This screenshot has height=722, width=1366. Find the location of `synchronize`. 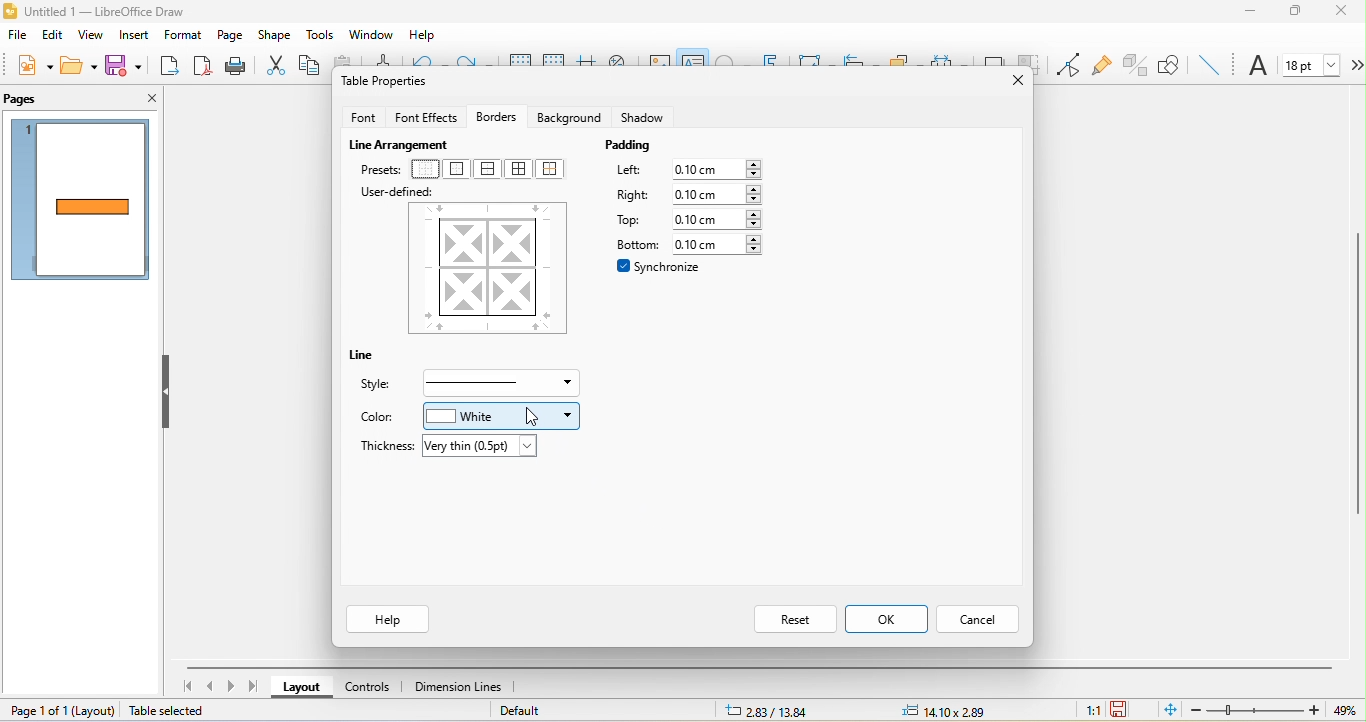

synchronize is located at coordinates (660, 266).